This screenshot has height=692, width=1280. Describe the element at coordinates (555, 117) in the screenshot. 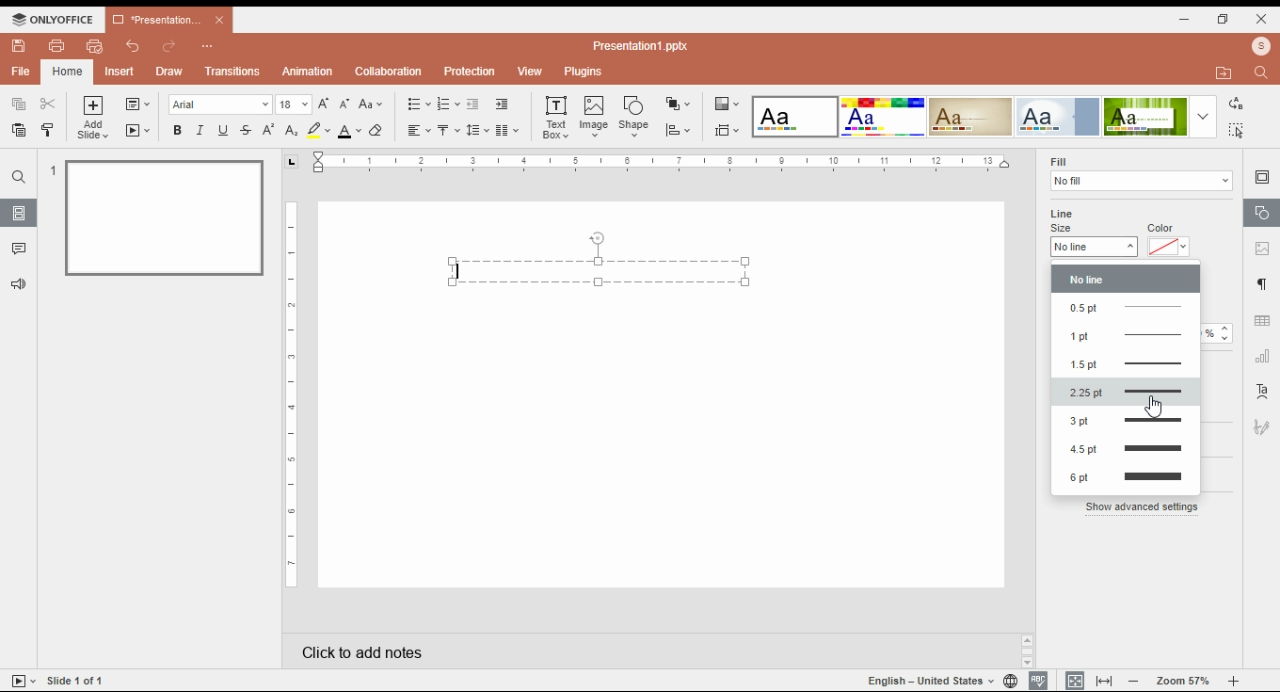

I see `insert text box` at that location.